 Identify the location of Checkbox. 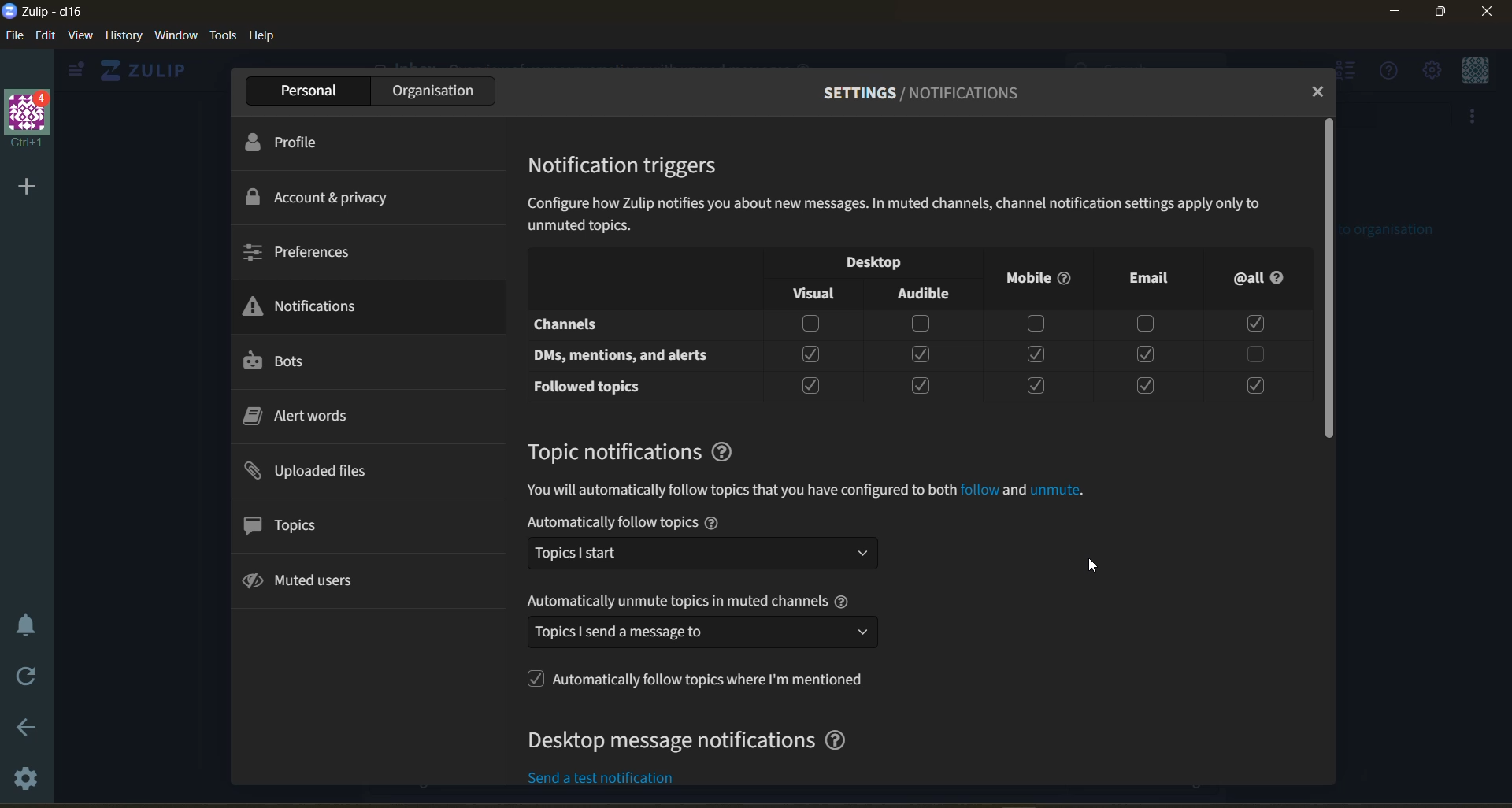
(1040, 326).